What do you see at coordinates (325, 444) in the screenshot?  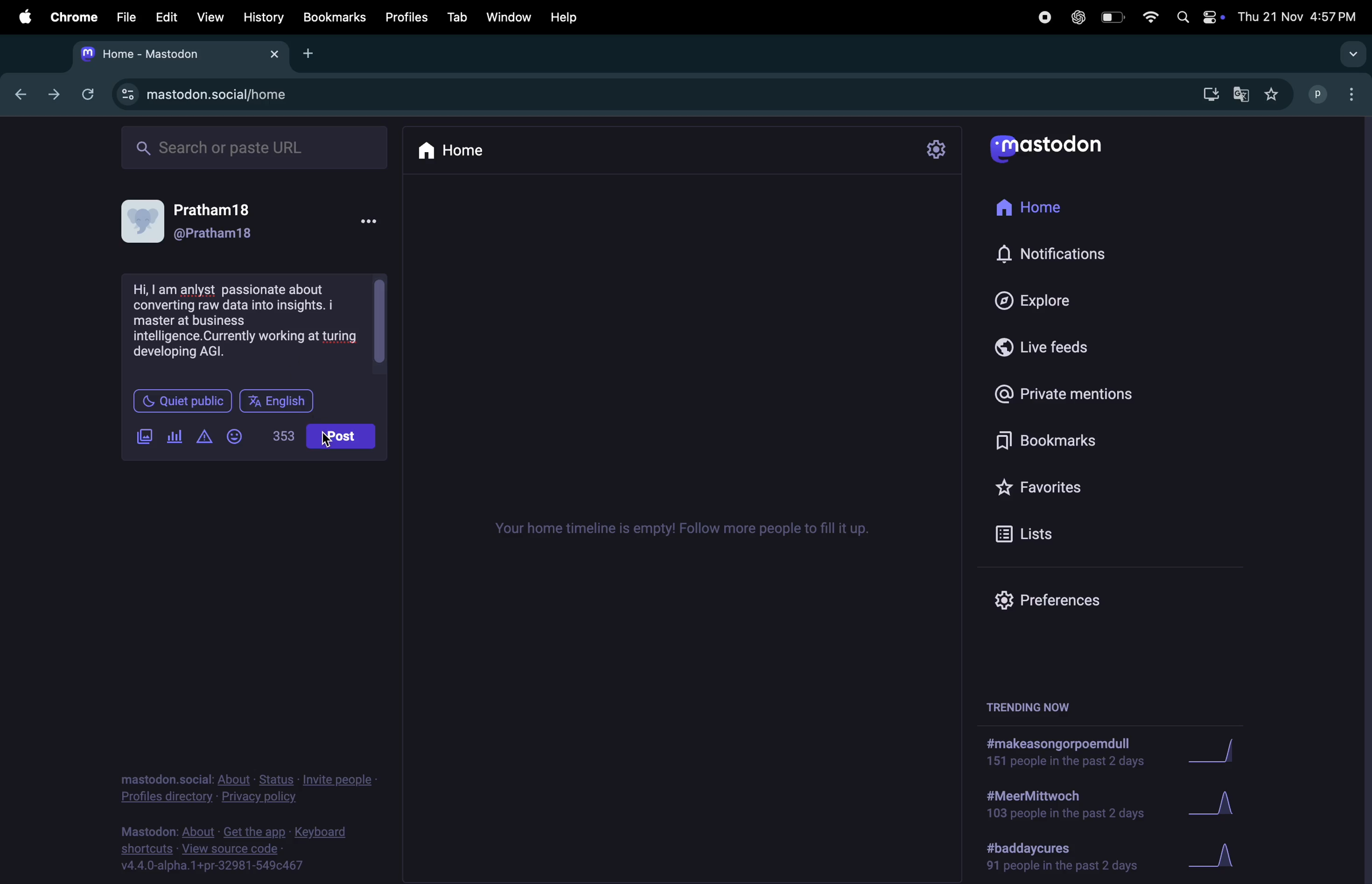 I see `cursor` at bounding box center [325, 444].